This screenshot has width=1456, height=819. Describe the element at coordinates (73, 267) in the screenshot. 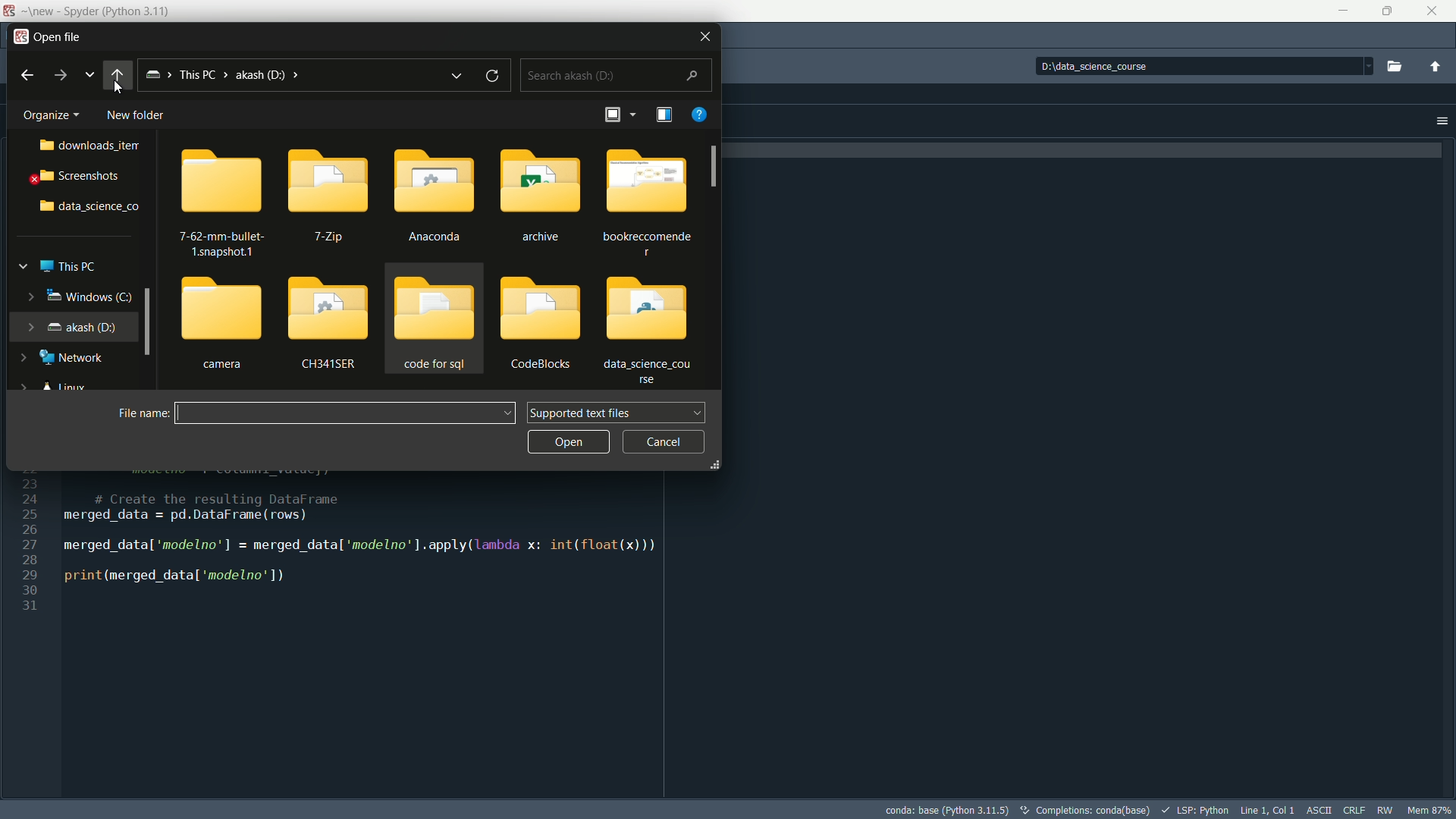

I see `this pc` at that location.